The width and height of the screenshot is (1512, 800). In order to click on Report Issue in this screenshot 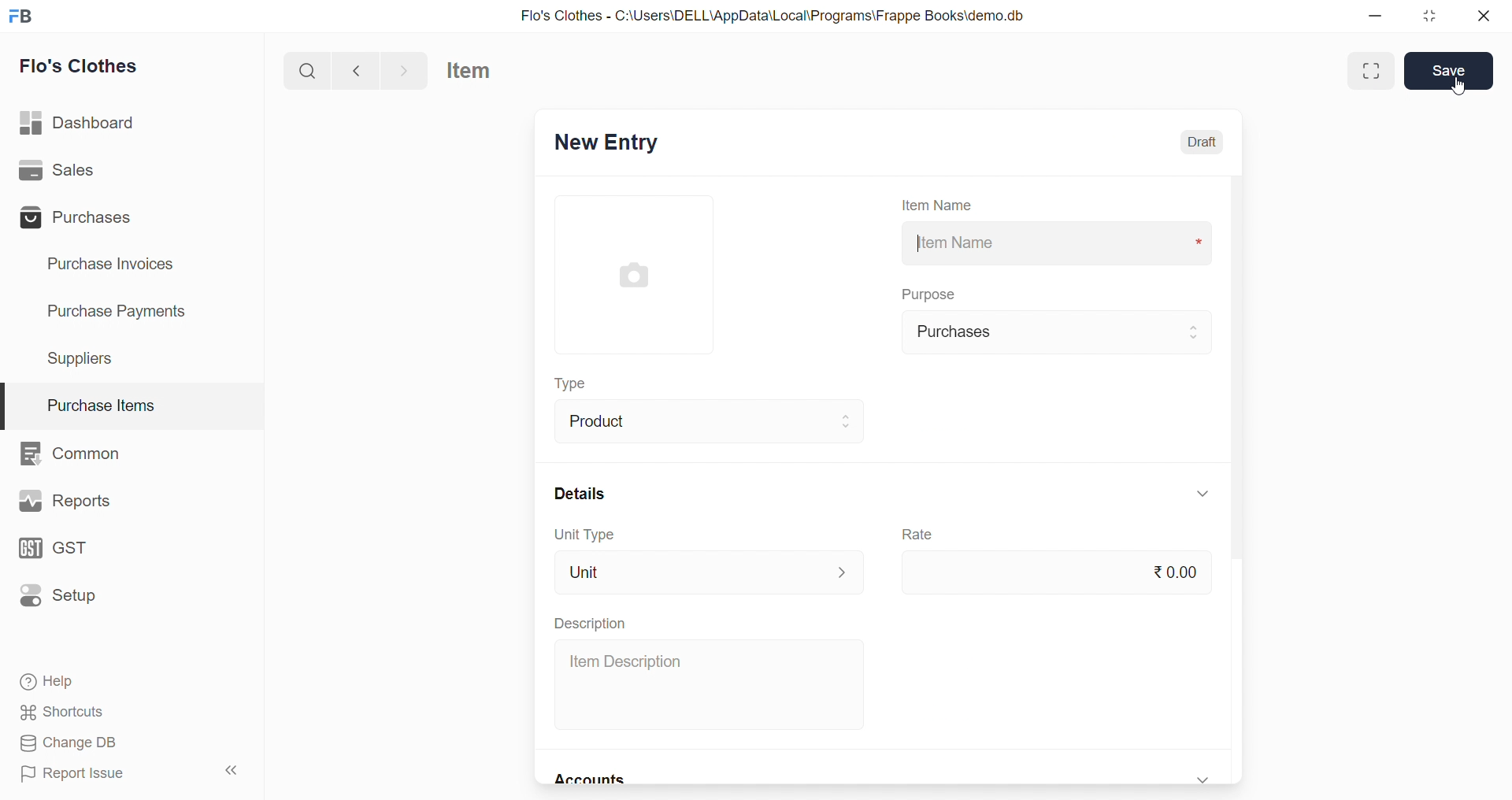, I will do `click(98, 772)`.